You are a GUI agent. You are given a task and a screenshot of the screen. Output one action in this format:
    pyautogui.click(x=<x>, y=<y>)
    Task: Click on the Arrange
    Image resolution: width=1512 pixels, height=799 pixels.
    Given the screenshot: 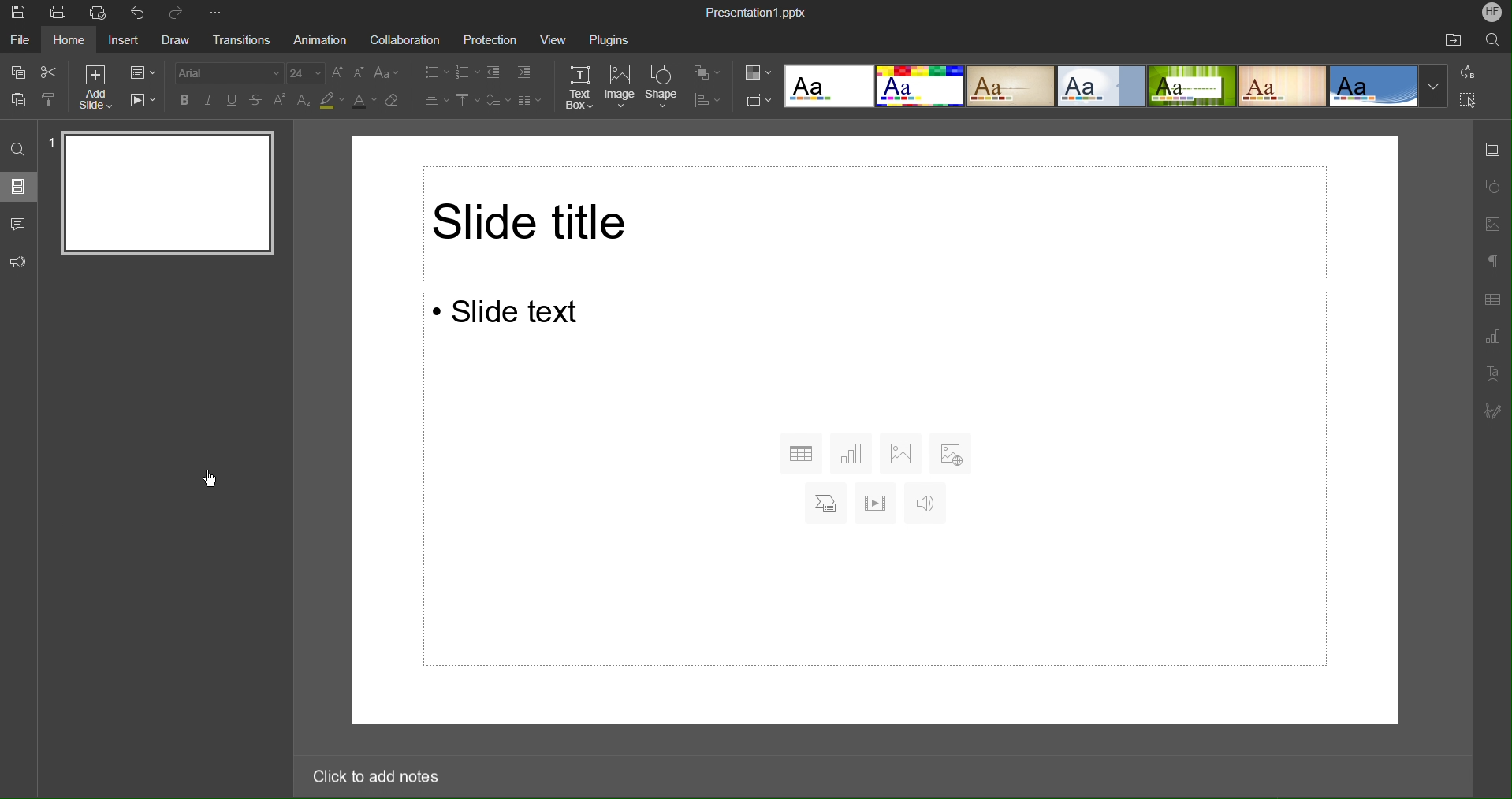 What is the action you would take?
    pyautogui.click(x=706, y=72)
    